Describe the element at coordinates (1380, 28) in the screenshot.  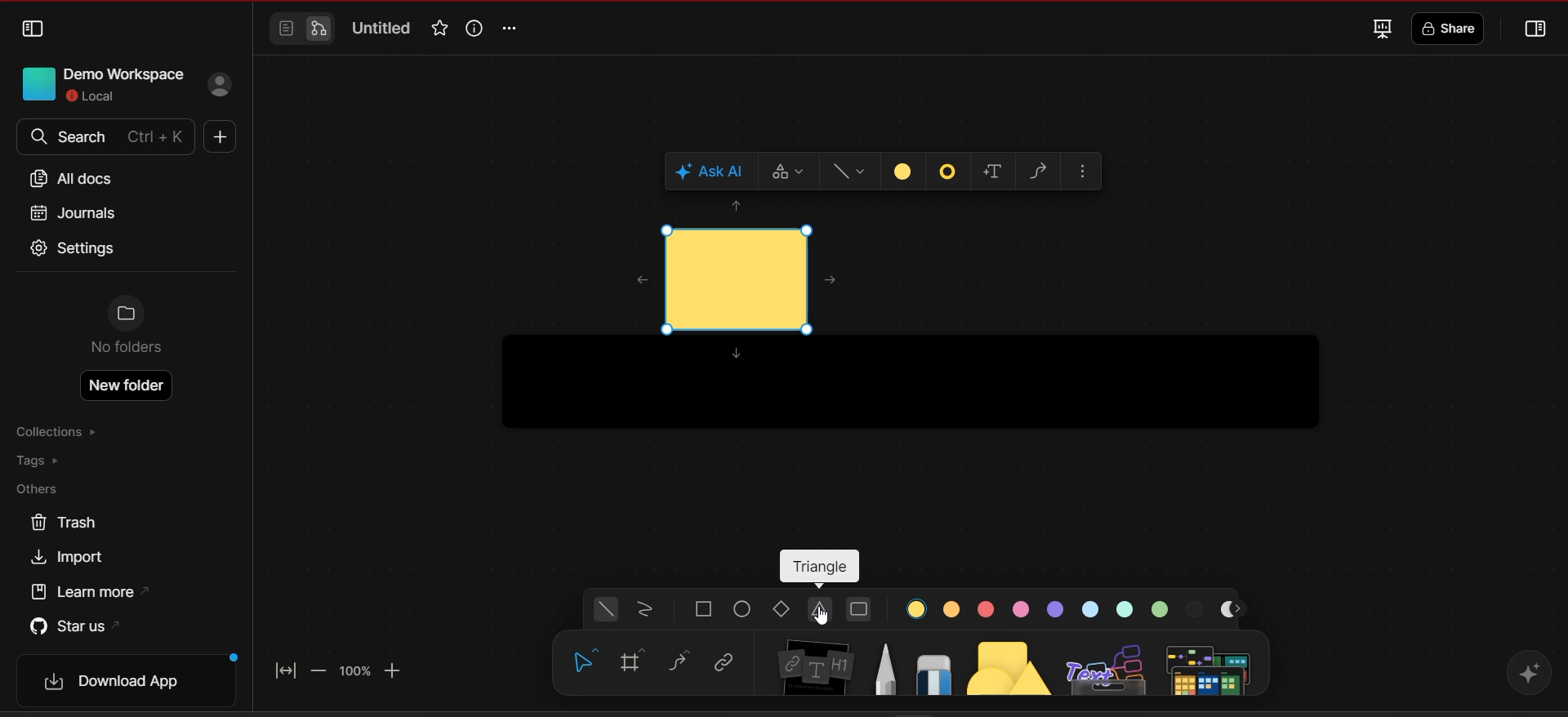
I see `fullscreen` at that location.